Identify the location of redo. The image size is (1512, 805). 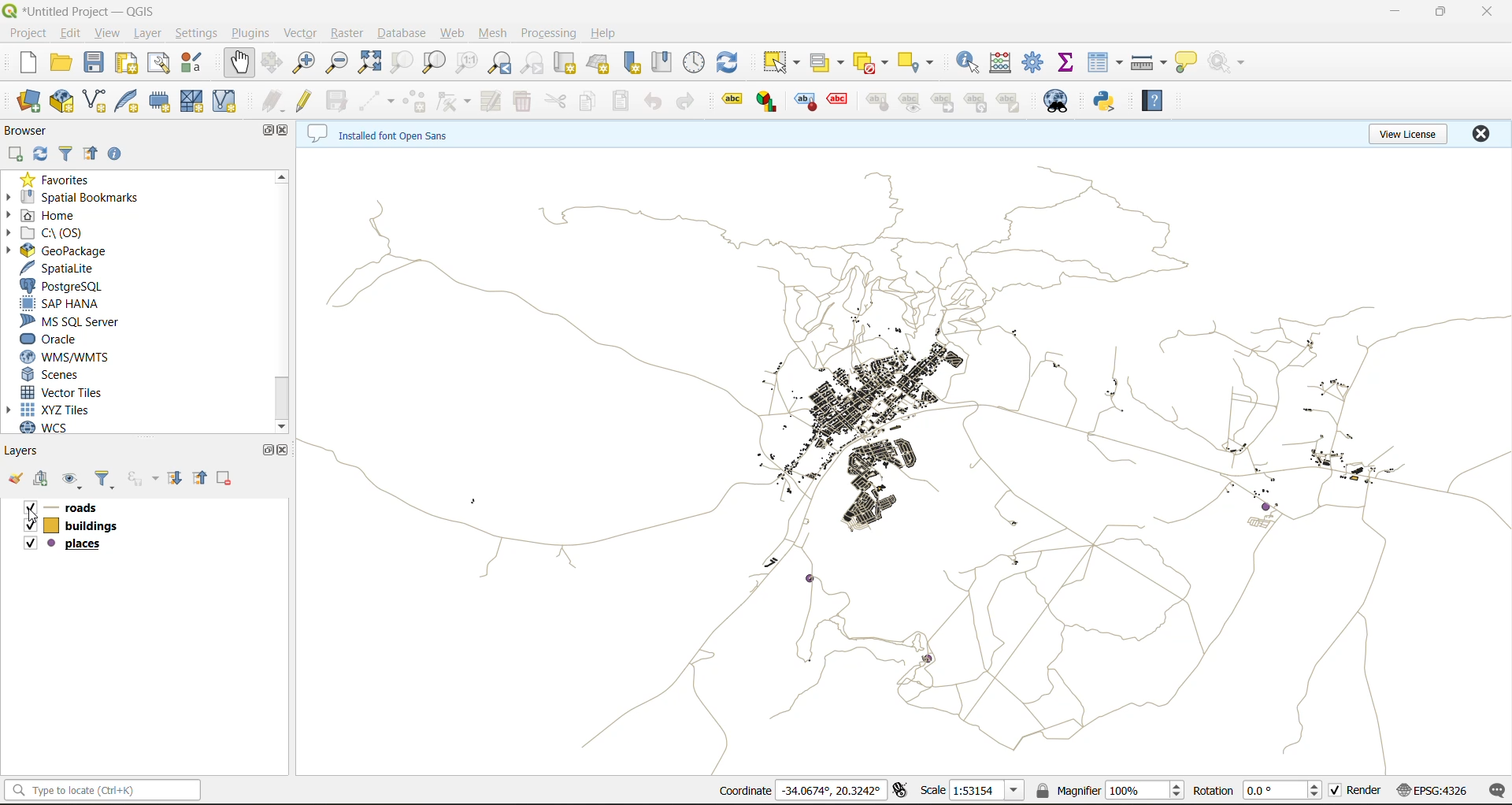
(685, 100).